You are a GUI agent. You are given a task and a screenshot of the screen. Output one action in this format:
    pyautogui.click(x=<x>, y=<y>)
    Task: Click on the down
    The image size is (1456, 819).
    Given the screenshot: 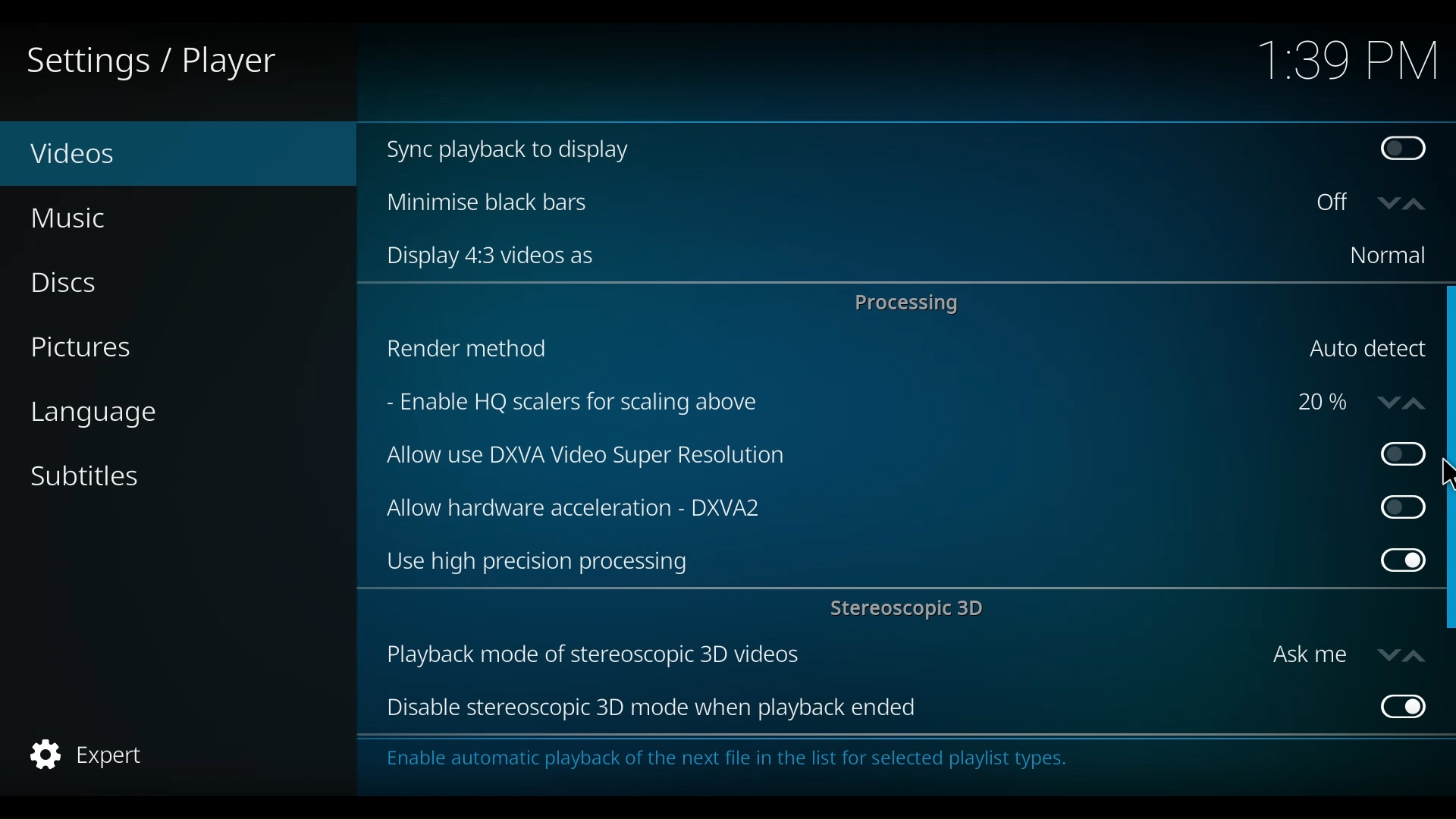 What is the action you would take?
    pyautogui.click(x=1384, y=401)
    